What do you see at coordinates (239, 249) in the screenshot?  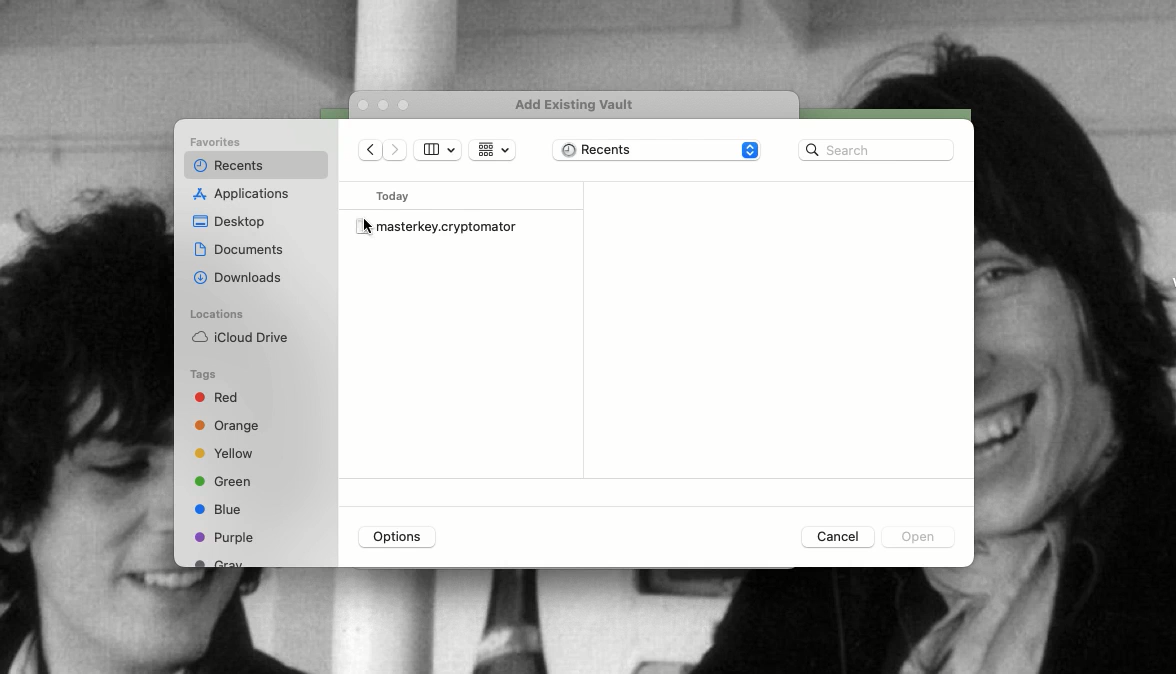 I see `Documents` at bounding box center [239, 249].